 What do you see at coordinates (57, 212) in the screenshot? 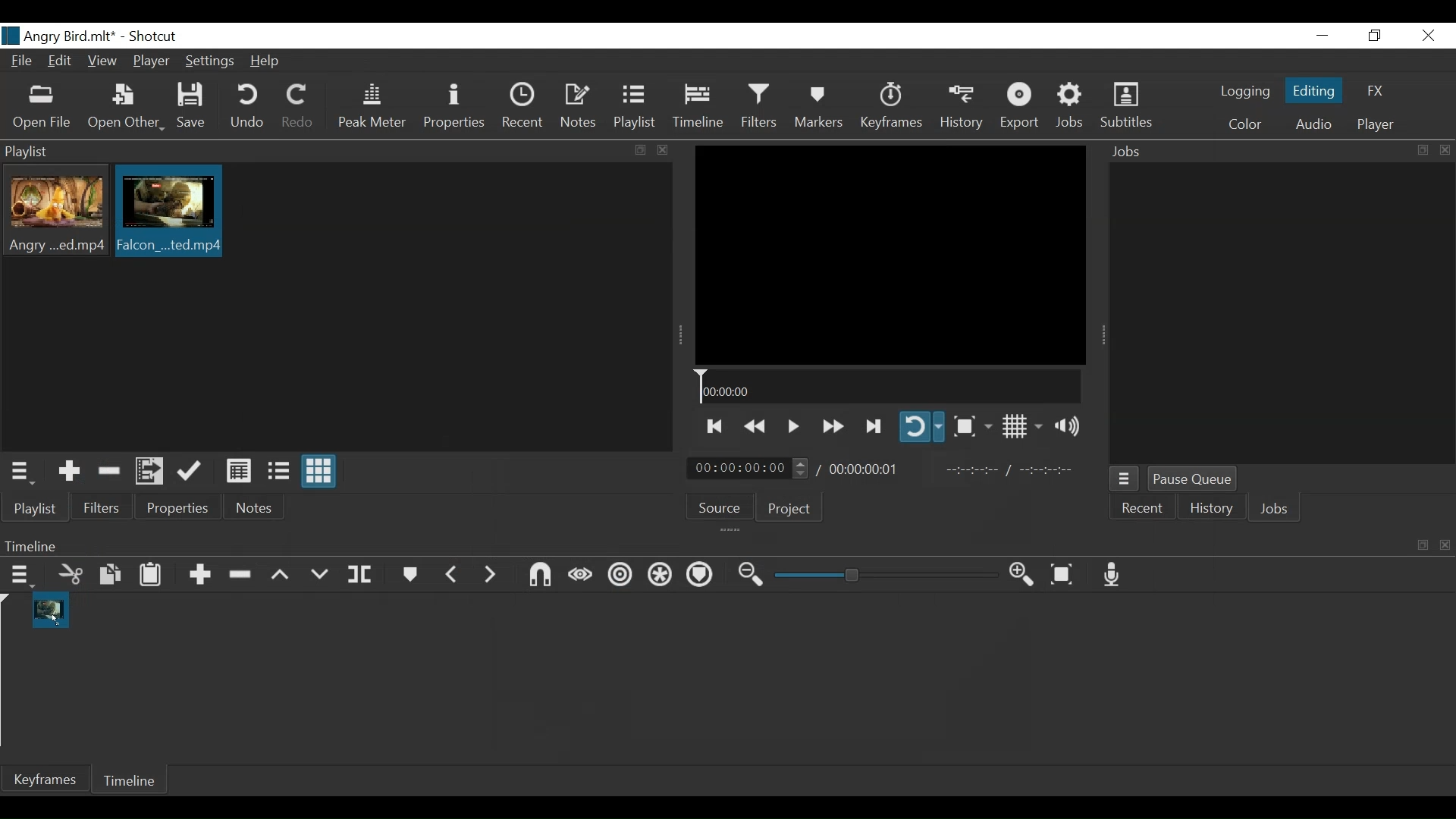
I see `Clip` at bounding box center [57, 212].